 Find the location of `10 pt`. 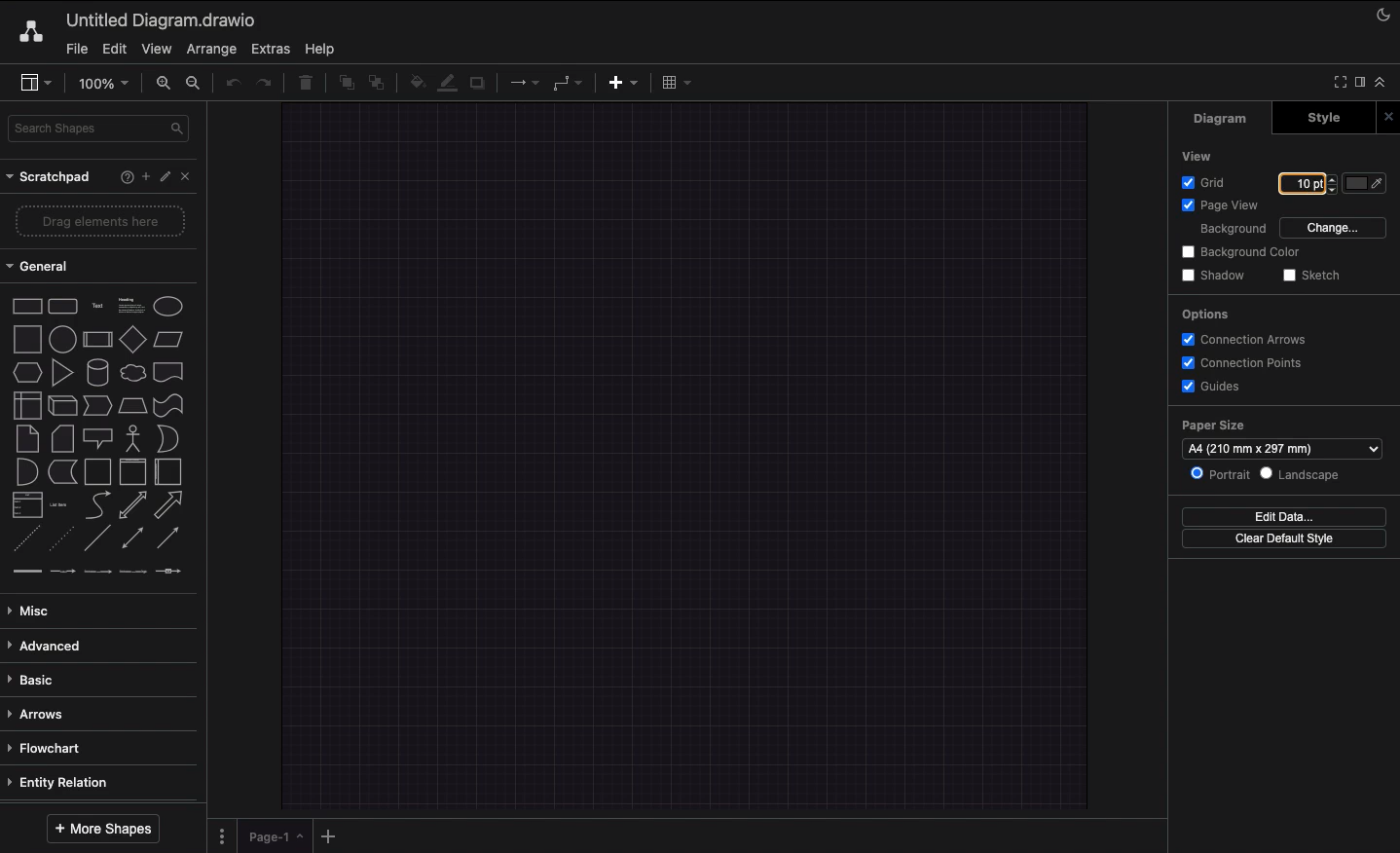

10 pt is located at coordinates (1300, 182).